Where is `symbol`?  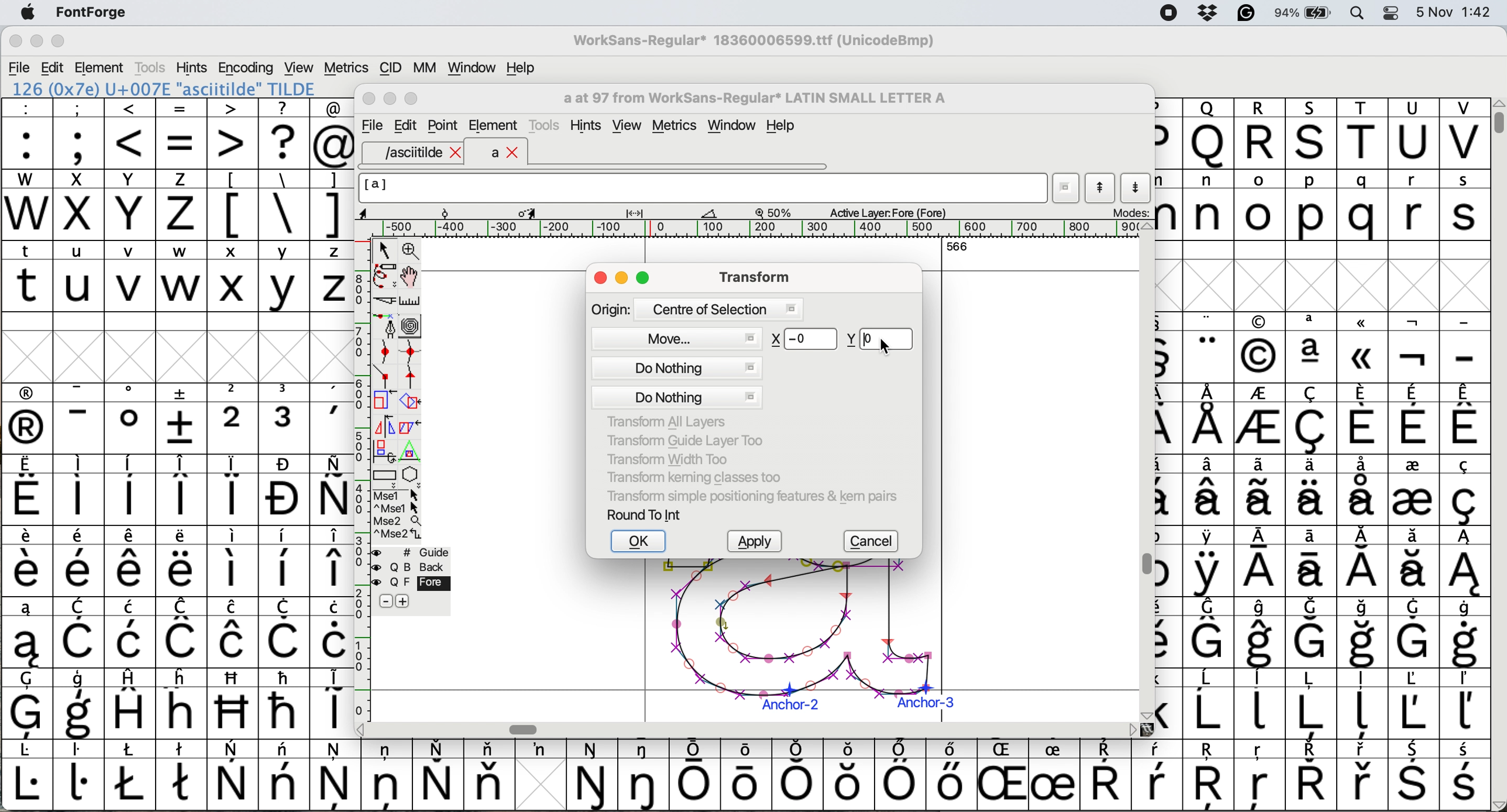
symbol is located at coordinates (332, 701).